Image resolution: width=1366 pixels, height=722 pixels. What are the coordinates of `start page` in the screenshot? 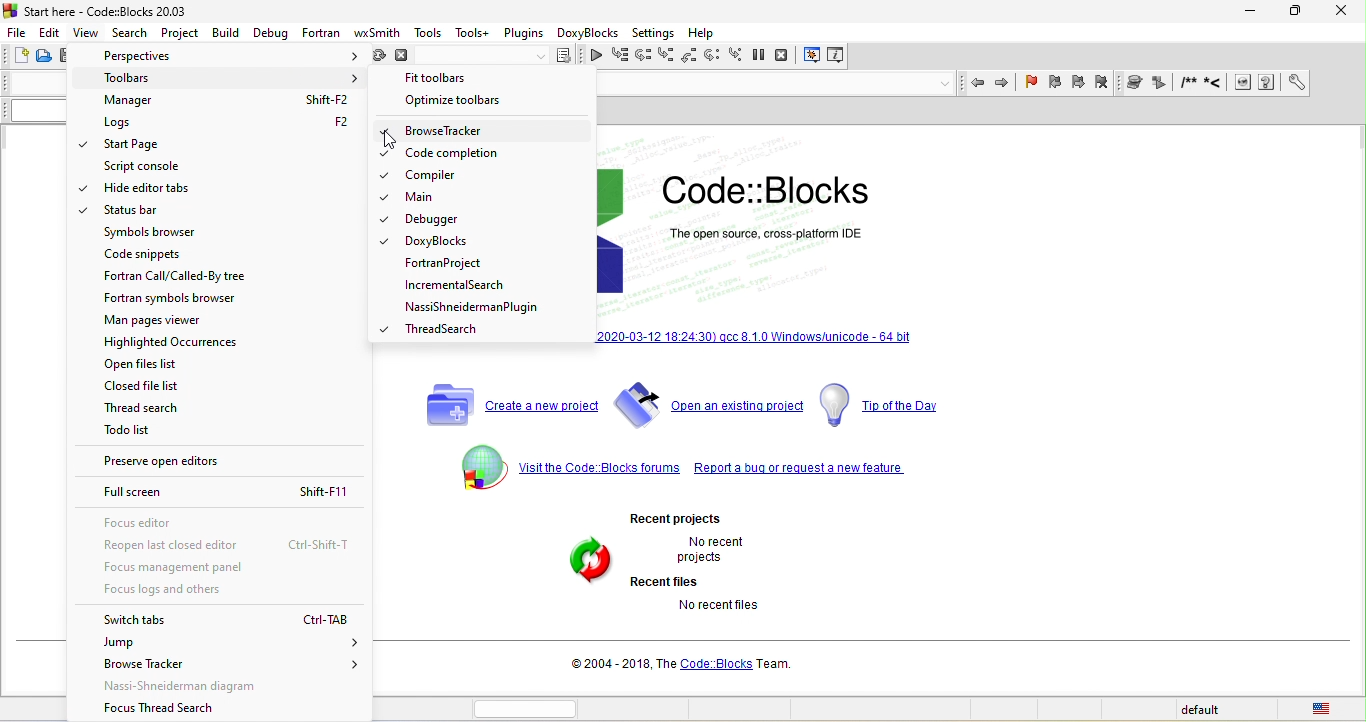 It's located at (158, 146).